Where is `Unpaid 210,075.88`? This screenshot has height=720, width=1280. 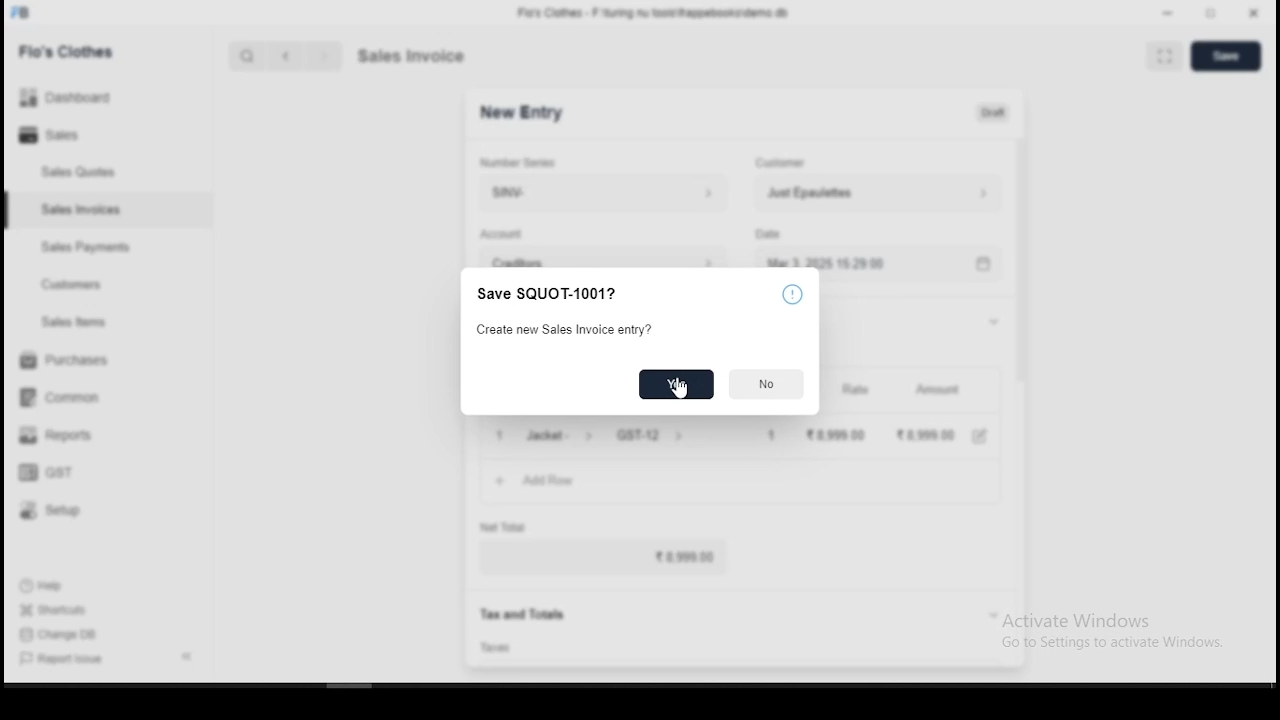
Unpaid 210,075.88 is located at coordinates (964, 112).